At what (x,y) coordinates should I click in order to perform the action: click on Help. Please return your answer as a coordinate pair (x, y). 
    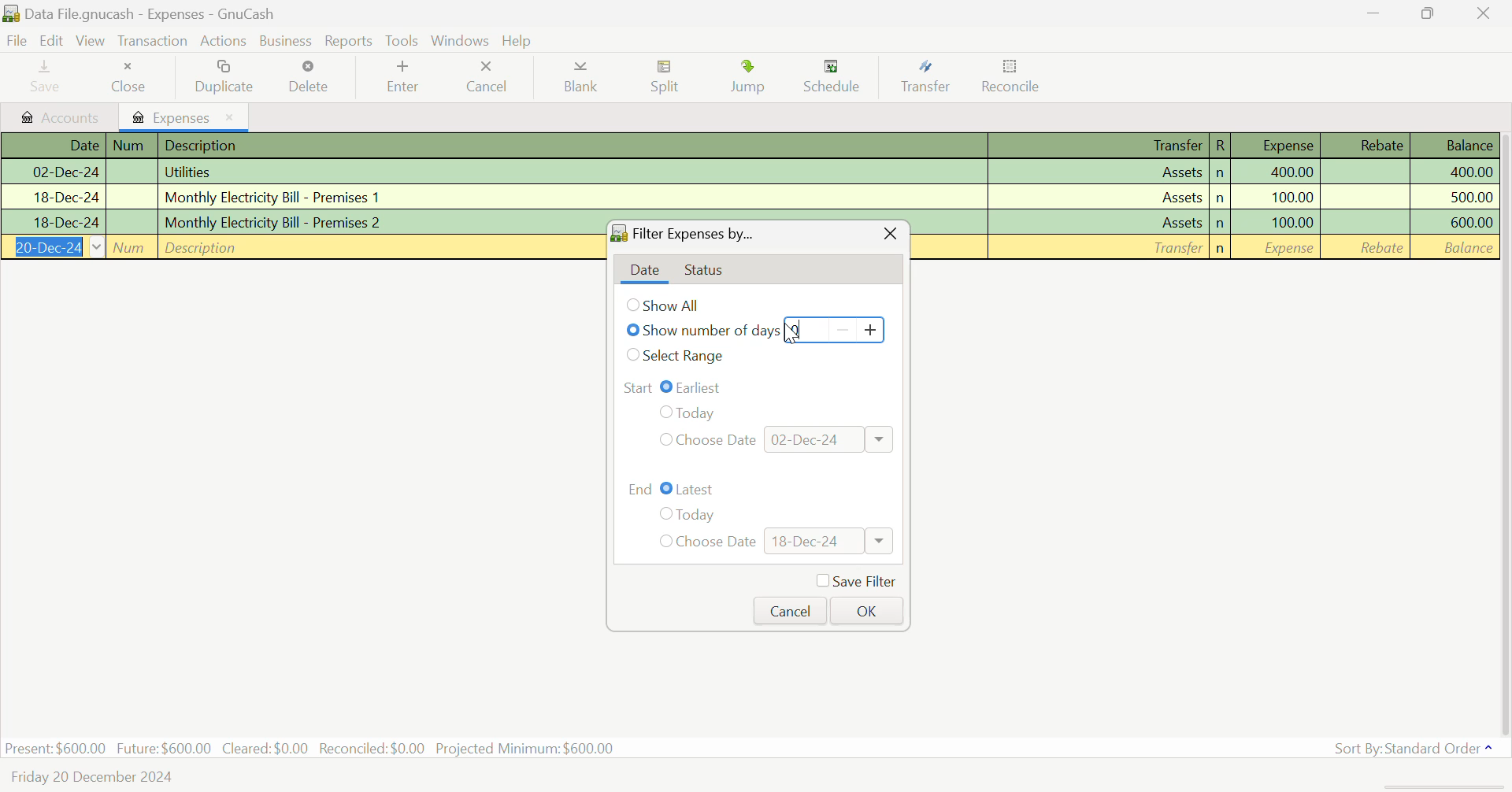
    Looking at the image, I should click on (517, 40).